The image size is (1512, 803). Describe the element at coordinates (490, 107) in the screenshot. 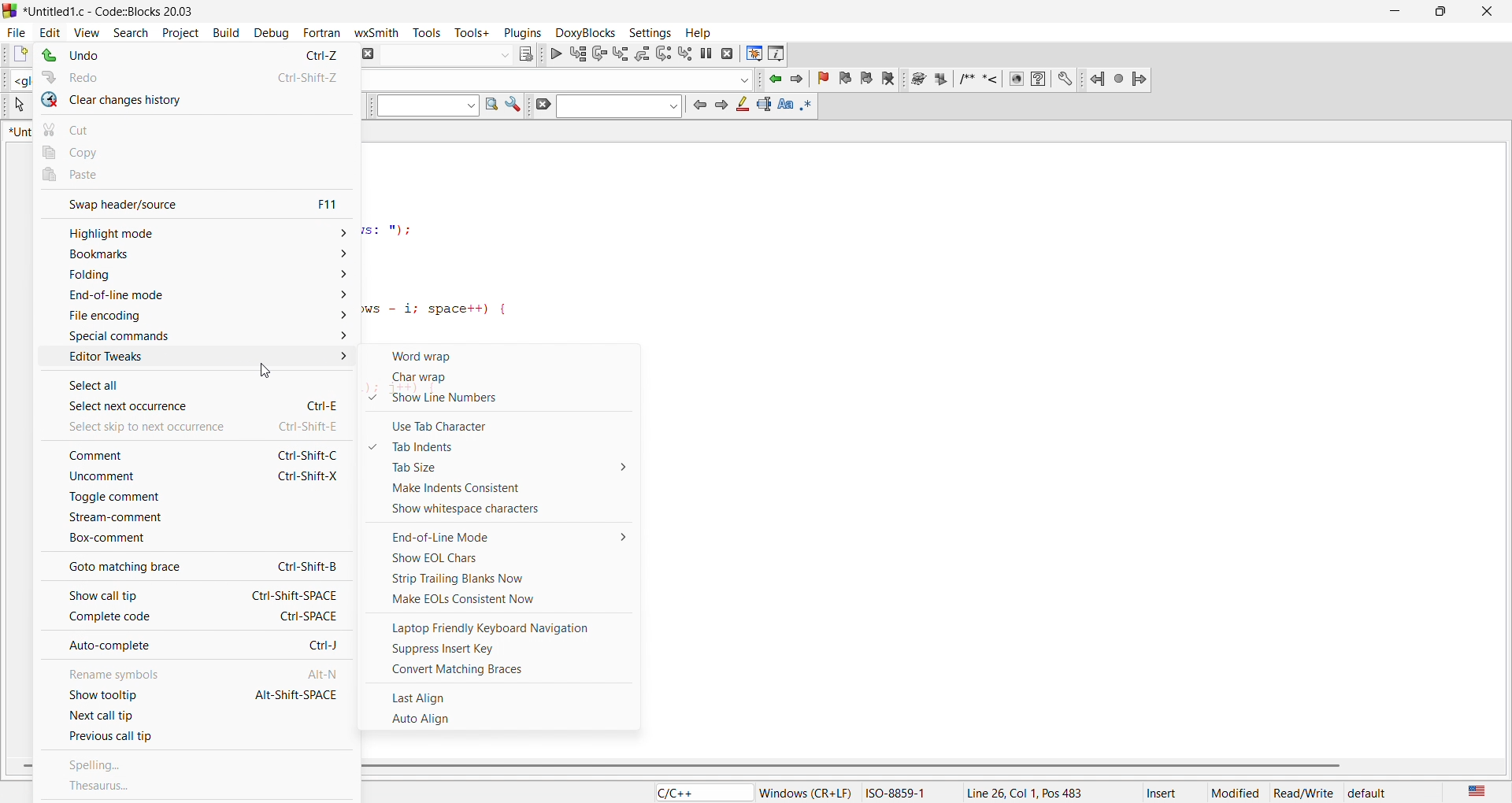

I see `find in page` at that location.